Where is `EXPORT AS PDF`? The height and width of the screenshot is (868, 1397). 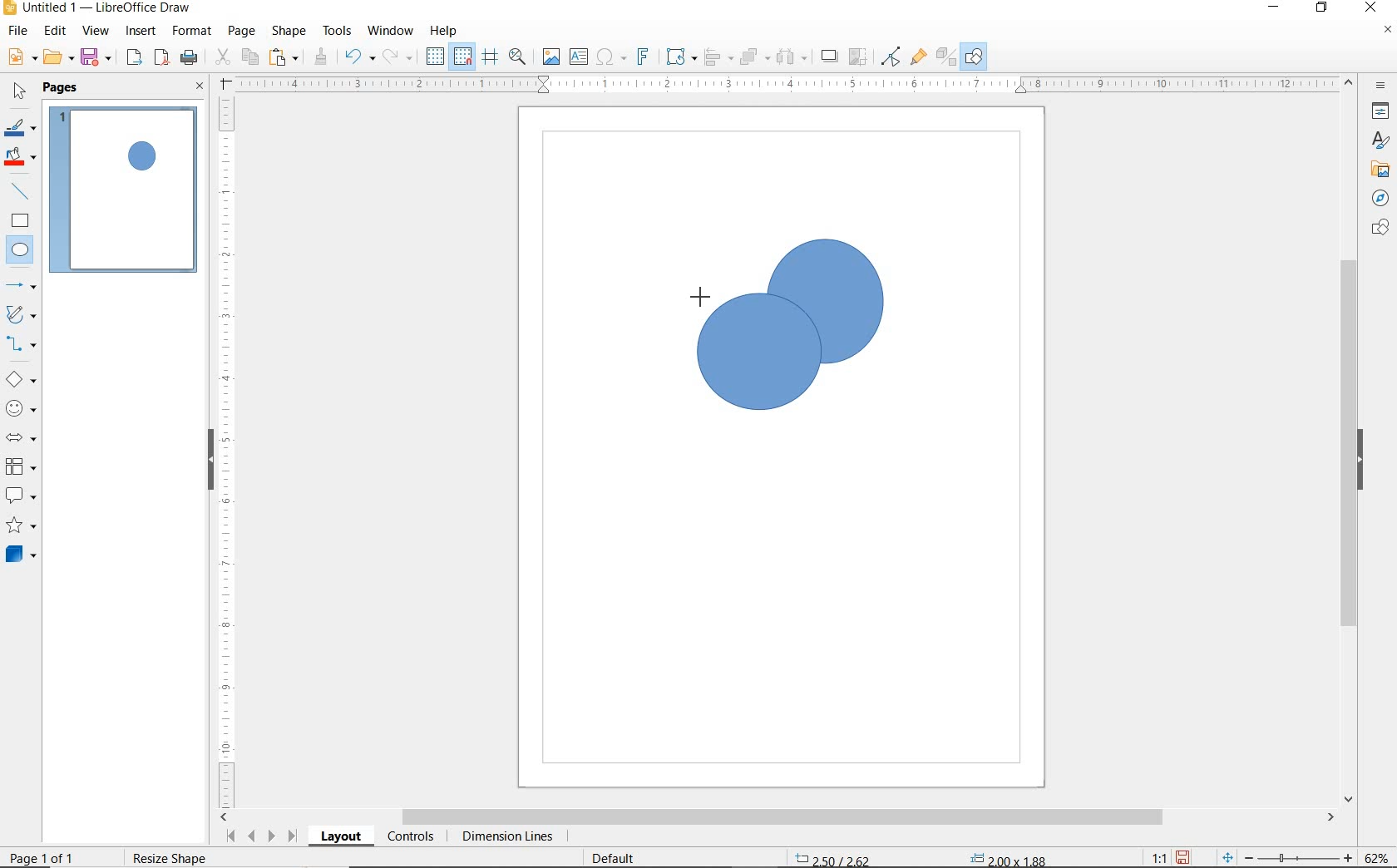
EXPORT AS PDF is located at coordinates (162, 59).